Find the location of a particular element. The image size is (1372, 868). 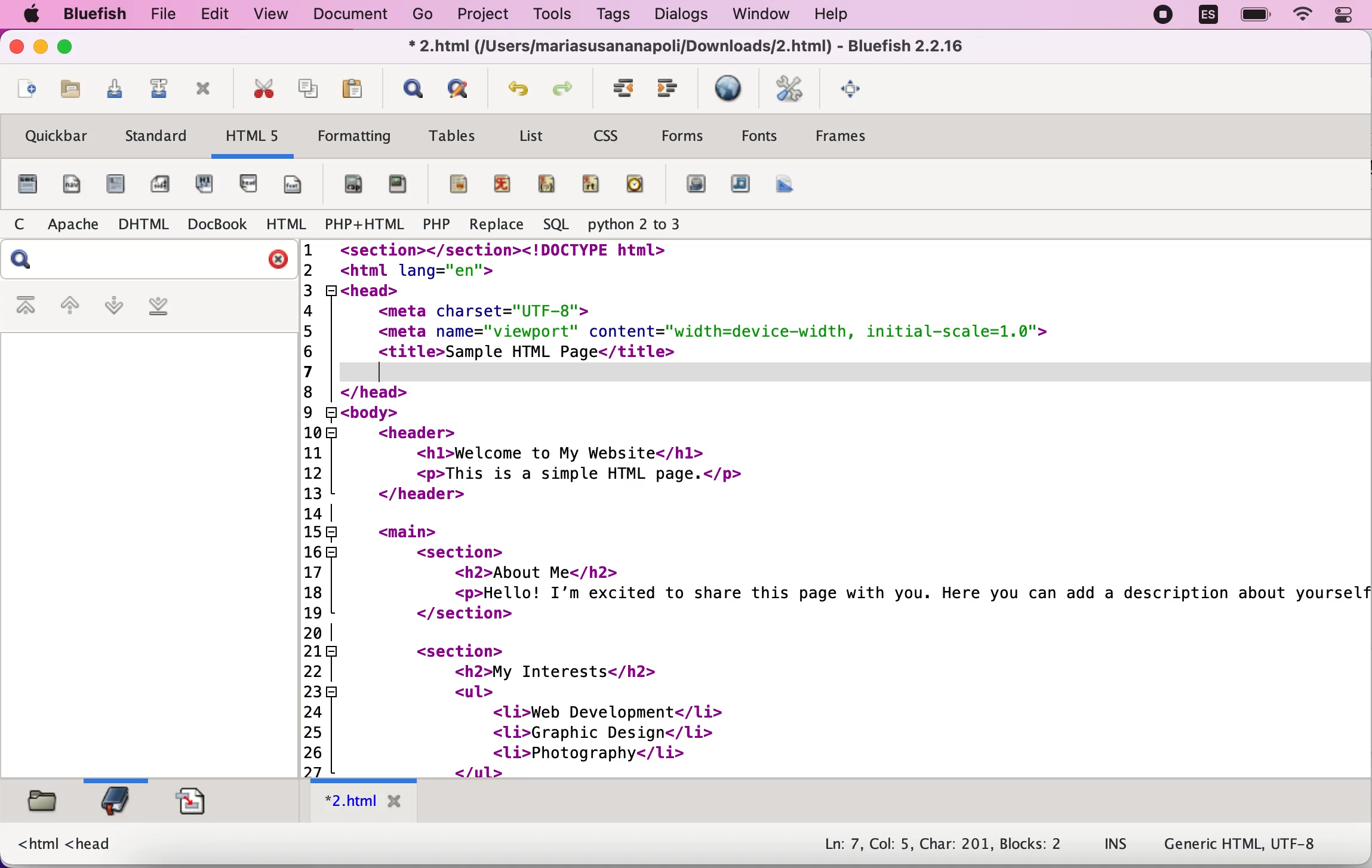

fonts is located at coordinates (759, 139).